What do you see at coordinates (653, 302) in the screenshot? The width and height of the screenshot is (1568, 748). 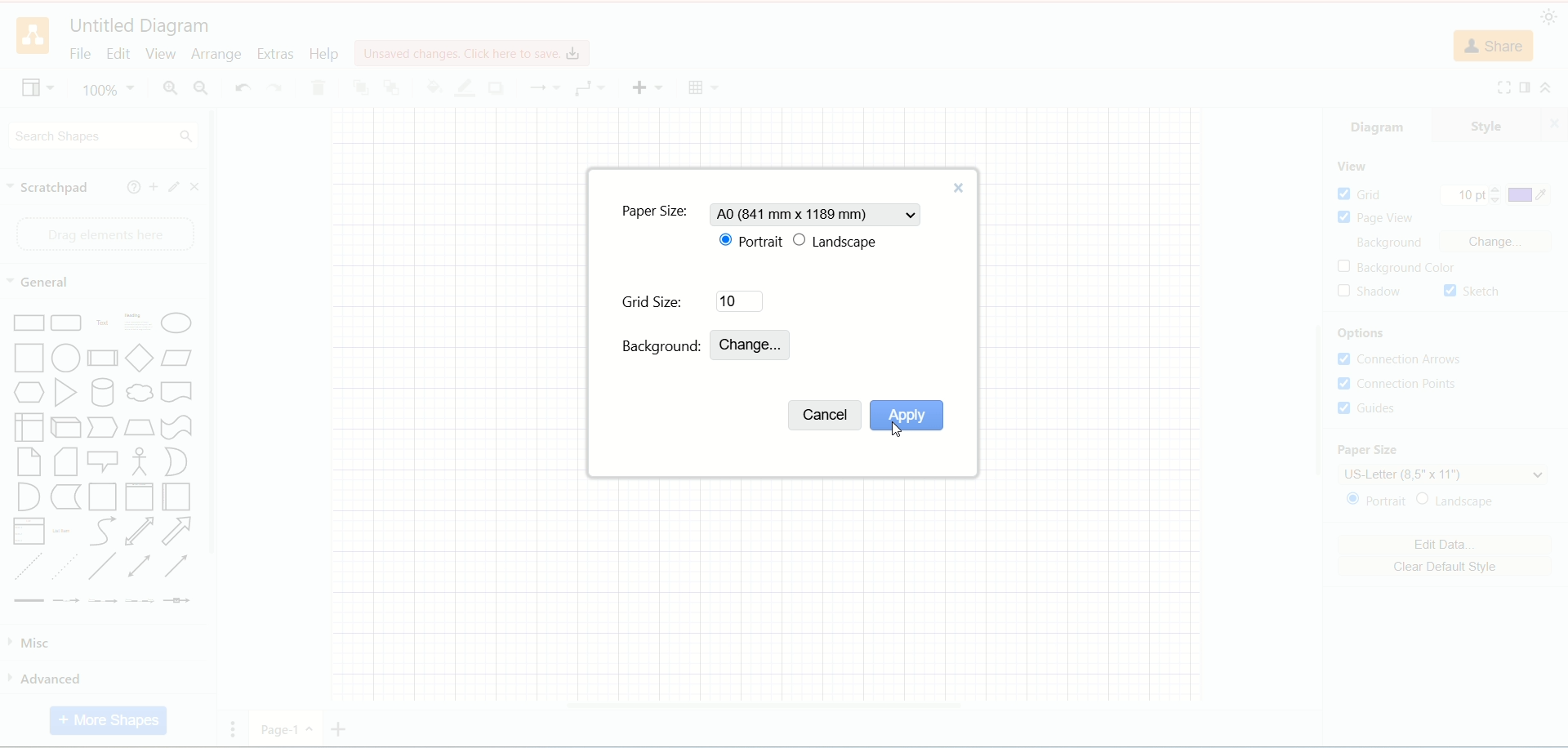 I see `grid size` at bounding box center [653, 302].